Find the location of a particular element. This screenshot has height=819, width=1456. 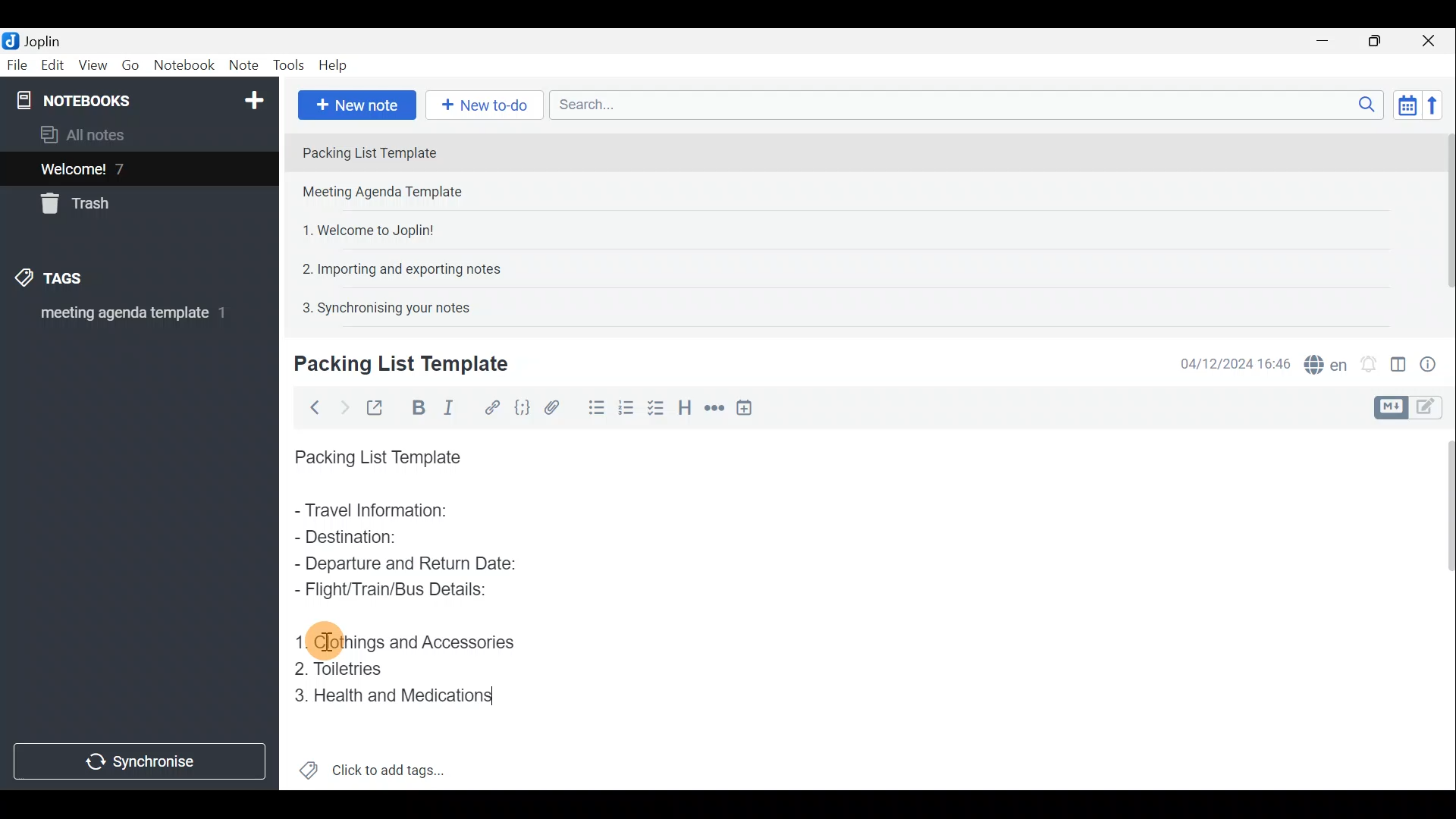

New note is located at coordinates (356, 103).